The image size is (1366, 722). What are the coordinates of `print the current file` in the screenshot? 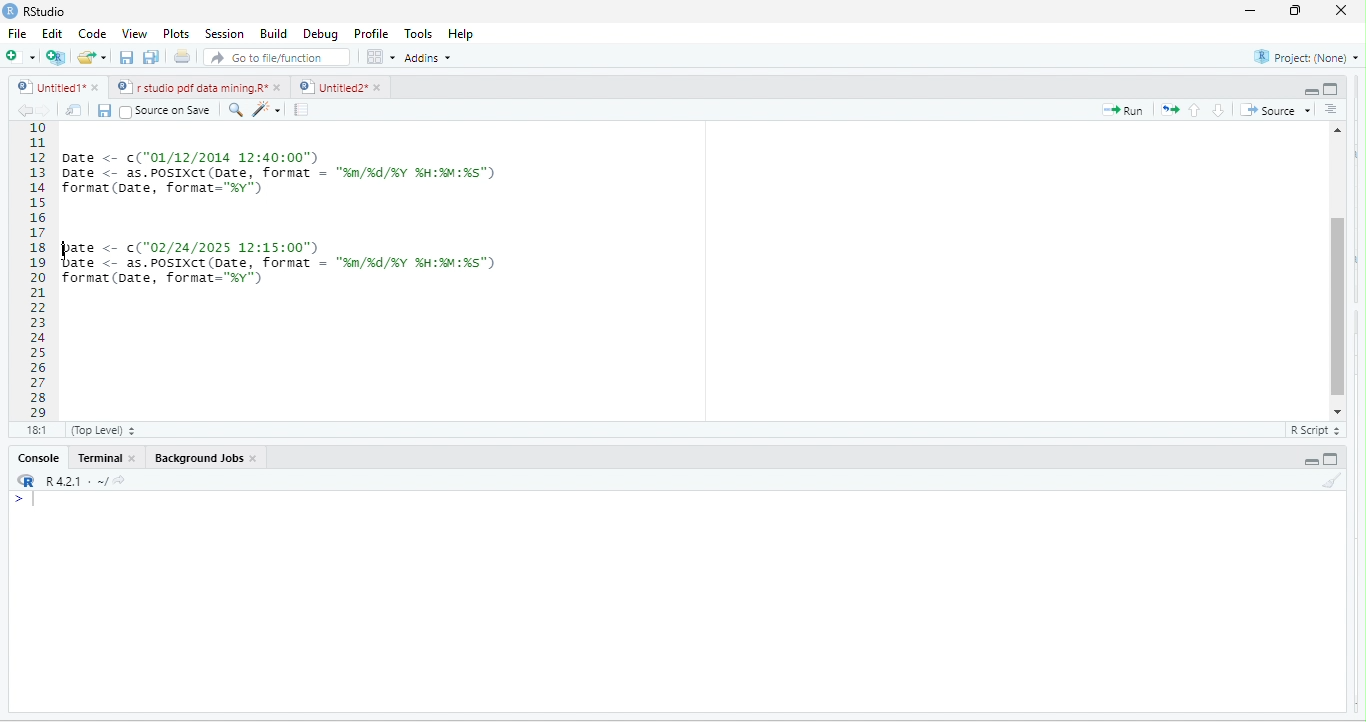 It's located at (181, 59).